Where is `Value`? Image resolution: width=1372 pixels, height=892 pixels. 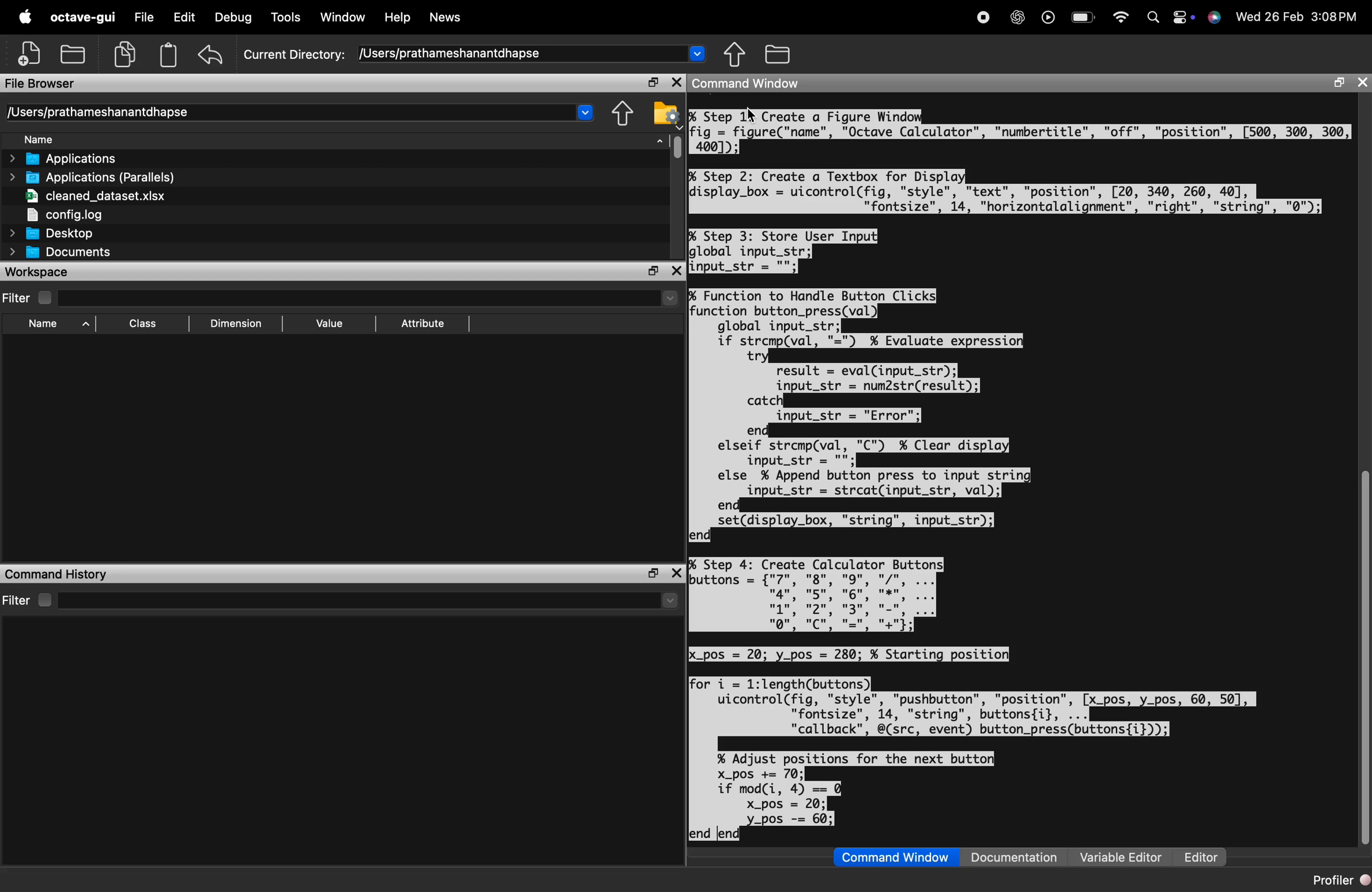
Value is located at coordinates (328, 327).